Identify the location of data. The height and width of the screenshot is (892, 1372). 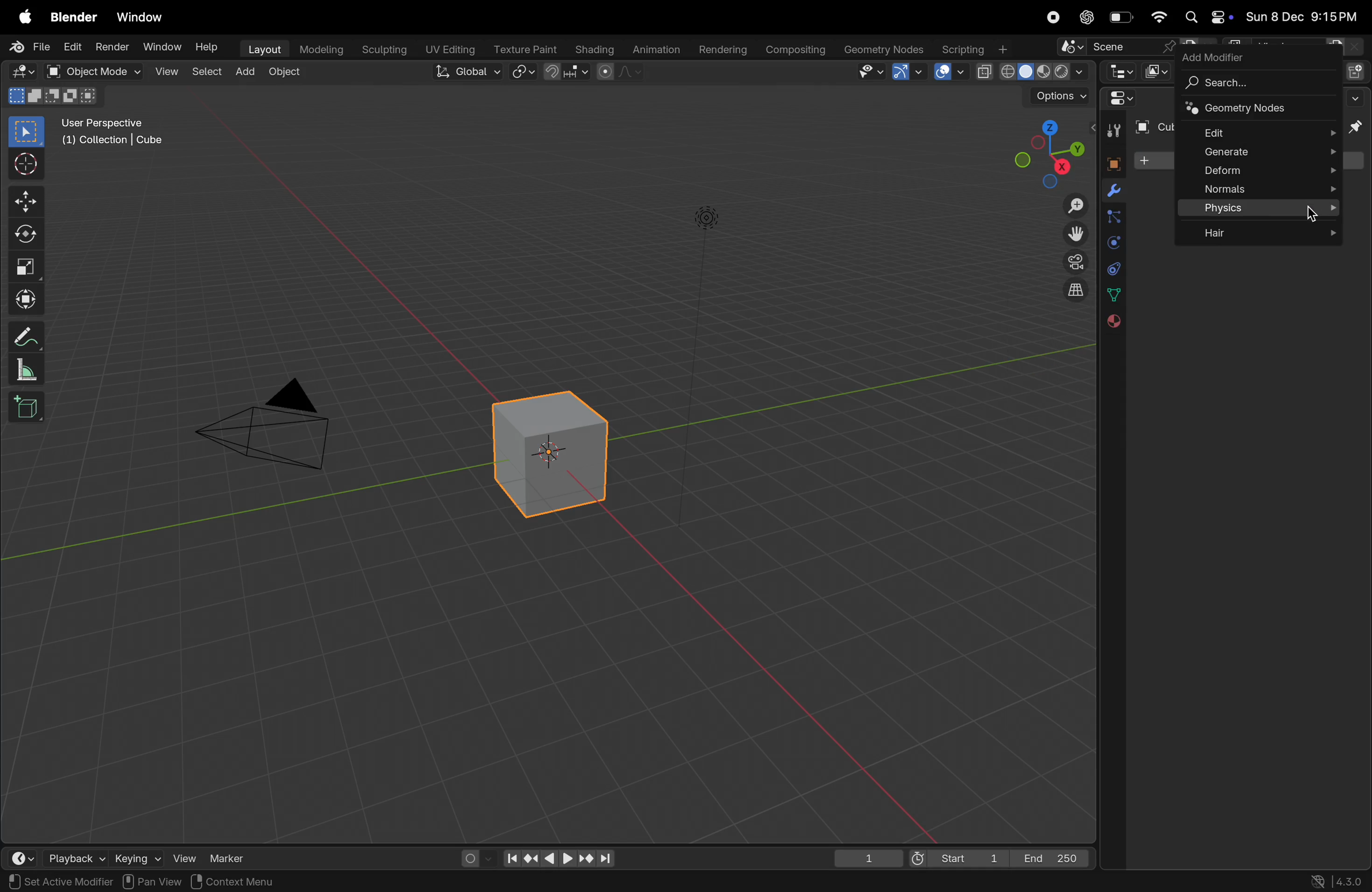
(1113, 294).